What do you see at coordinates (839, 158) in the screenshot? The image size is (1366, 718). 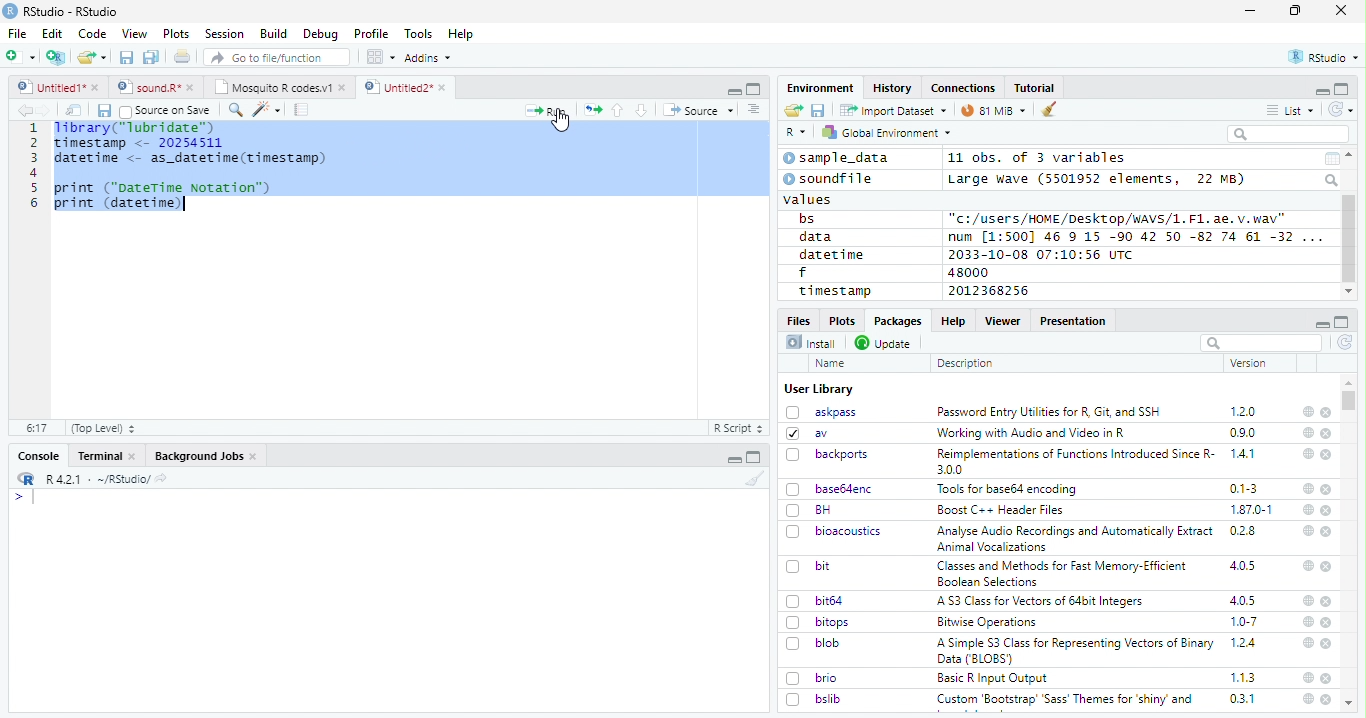 I see `sample_data` at bounding box center [839, 158].